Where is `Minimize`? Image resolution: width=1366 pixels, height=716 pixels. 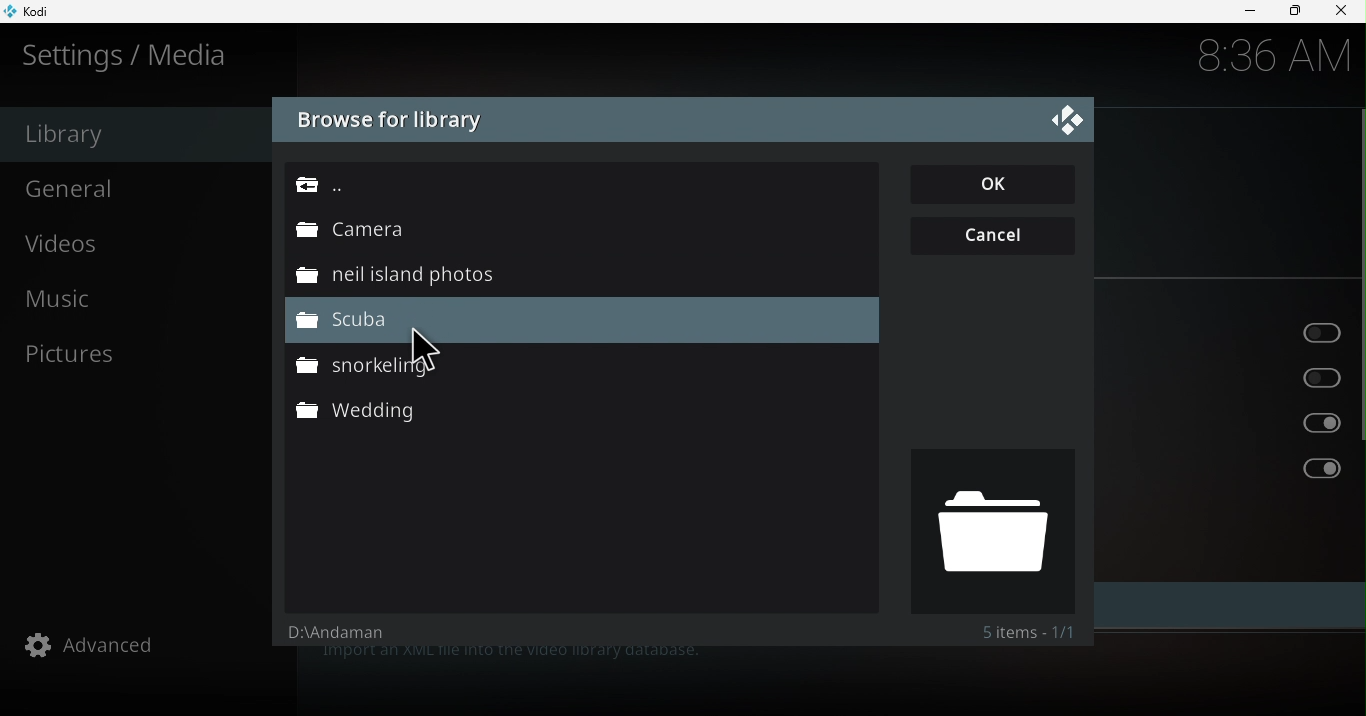 Minimize is located at coordinates (1242, 12).